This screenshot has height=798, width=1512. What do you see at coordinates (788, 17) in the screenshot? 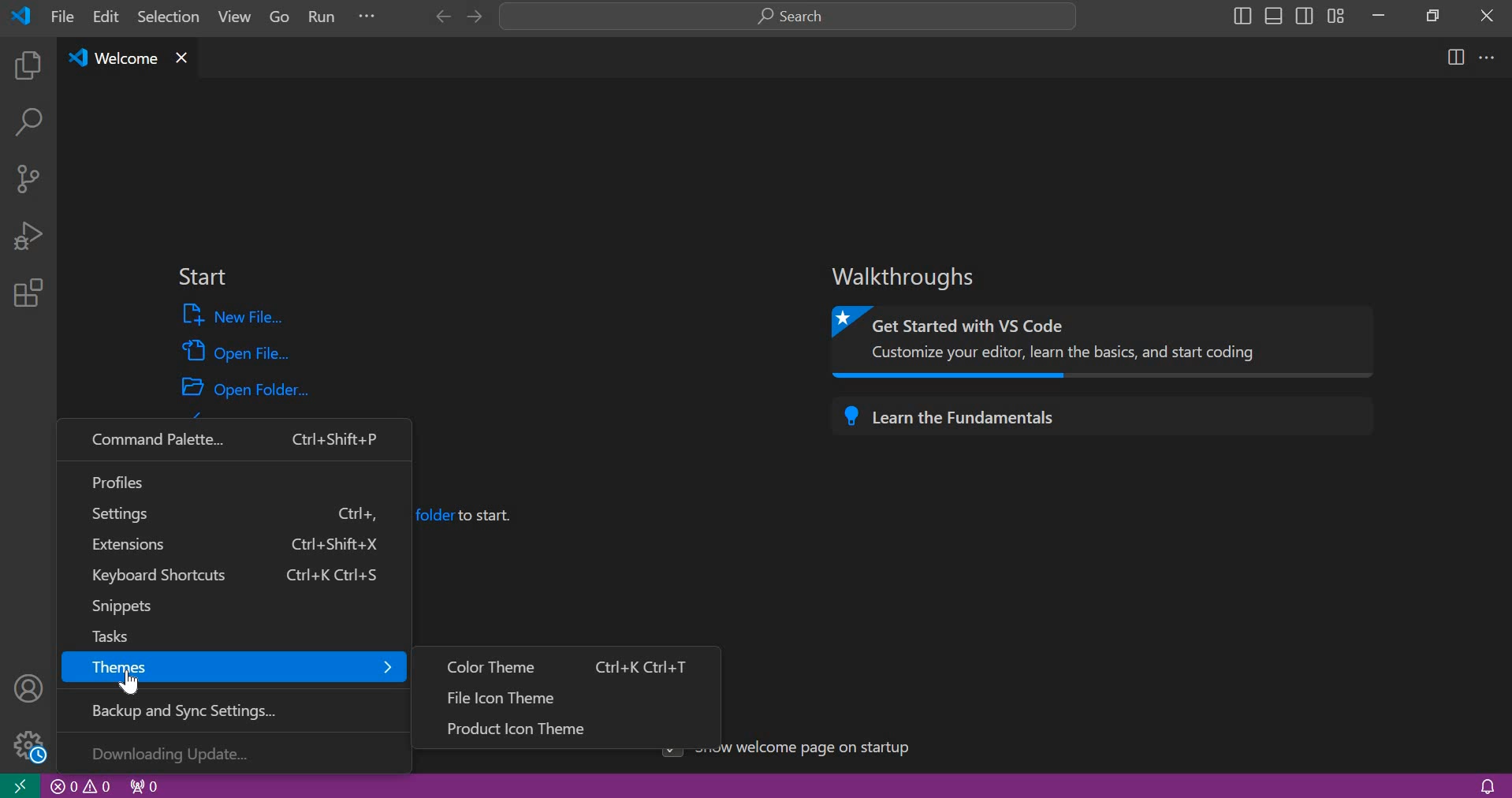
I see `search` at bounding box center [788, 17].